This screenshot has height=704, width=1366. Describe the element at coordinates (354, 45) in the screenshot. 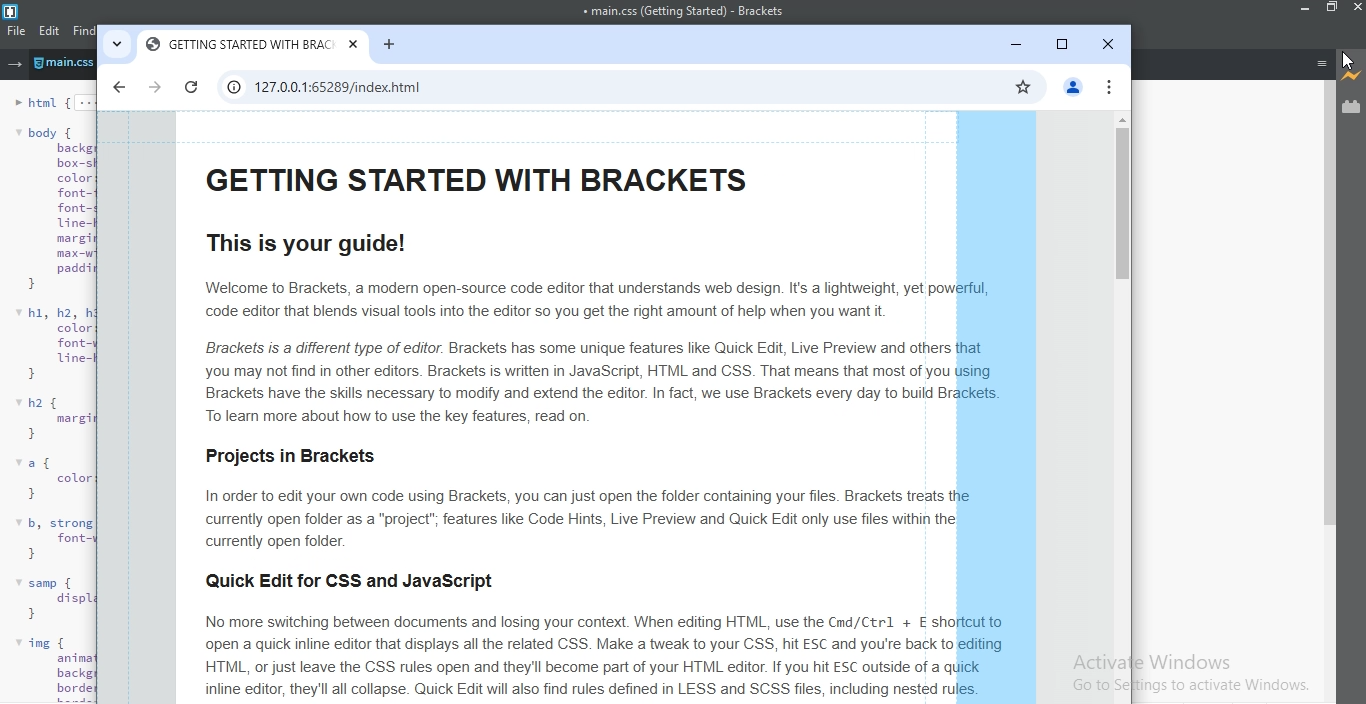

I see `tab close` at that location.